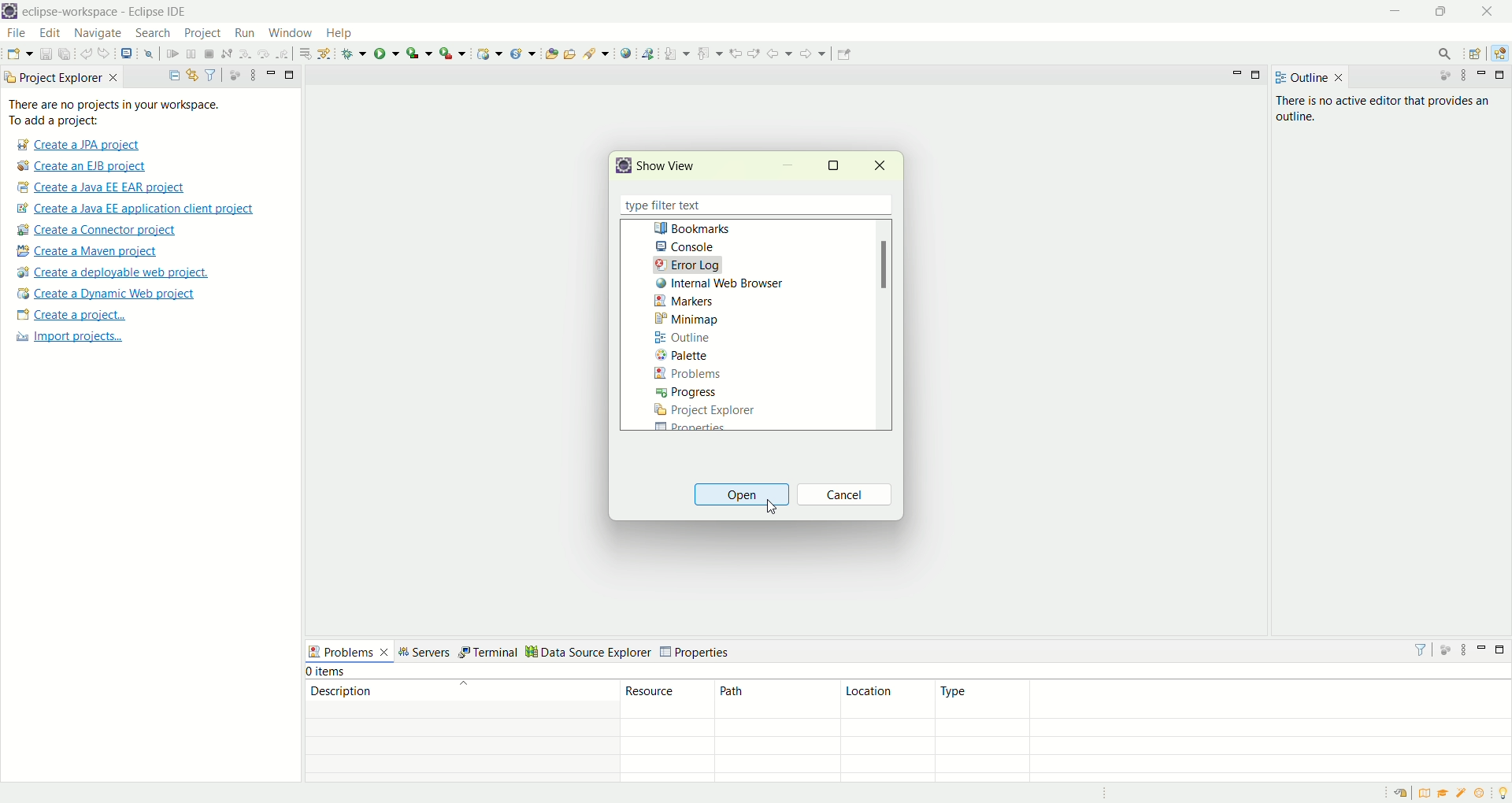 The height and width of the screenshot is (803, 1512). I want to click on minimize, so click(1235, 75).